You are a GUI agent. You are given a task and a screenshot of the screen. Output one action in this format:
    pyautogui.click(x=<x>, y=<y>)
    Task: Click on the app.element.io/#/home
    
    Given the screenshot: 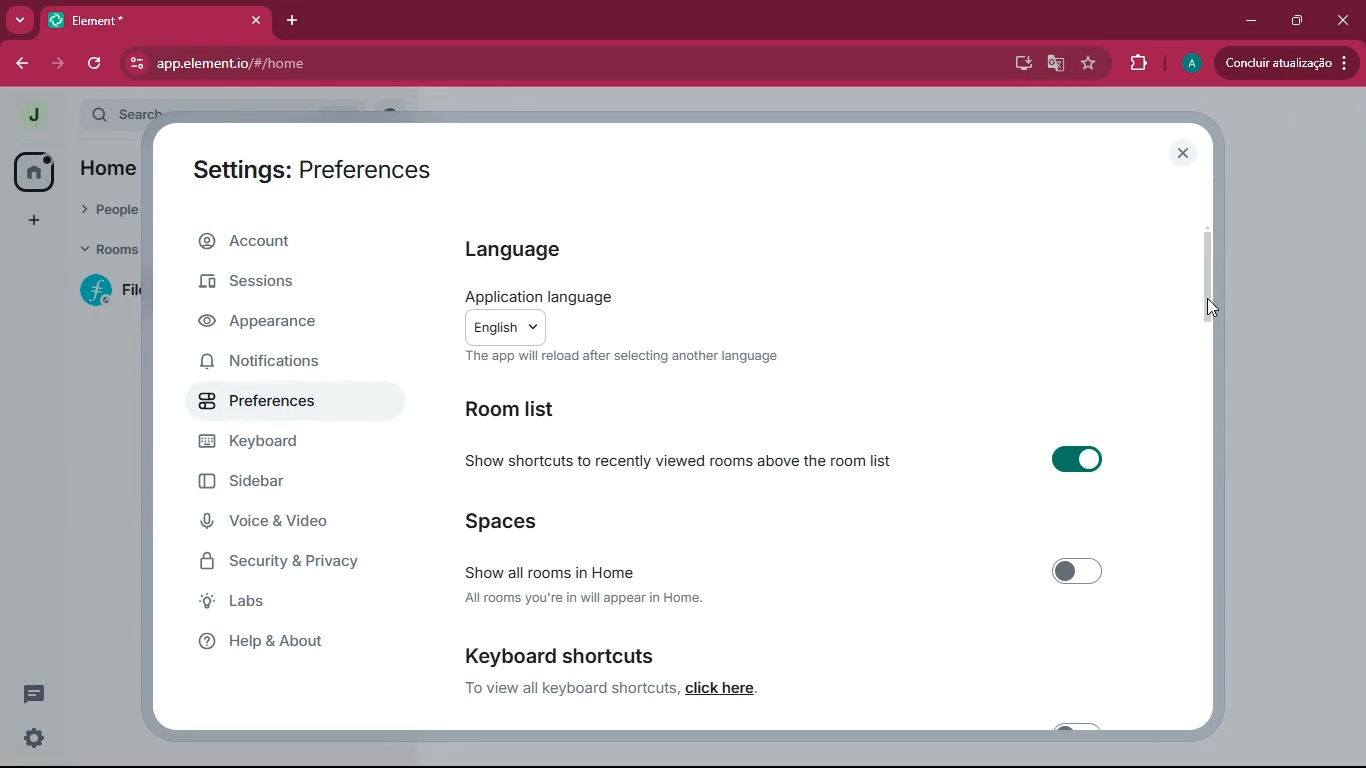 What is the action you would take?
    pyautogui.click(x=410, y=64)
    